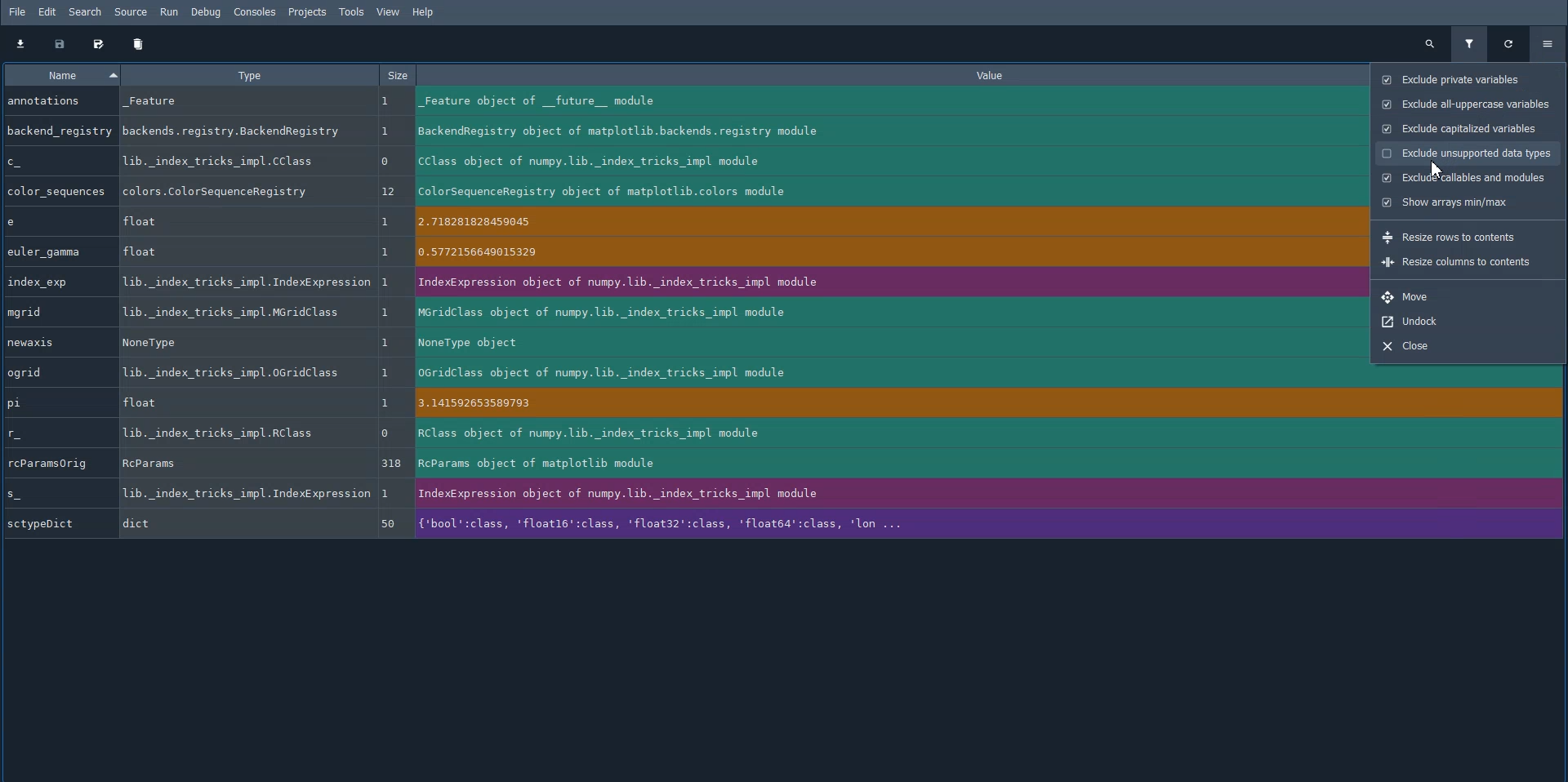 This screenshot has width=1568, height=782. Describe the element at coordinates (887, 464) in the screenshot. I see `RcParams object of matplotlib module` at that location.